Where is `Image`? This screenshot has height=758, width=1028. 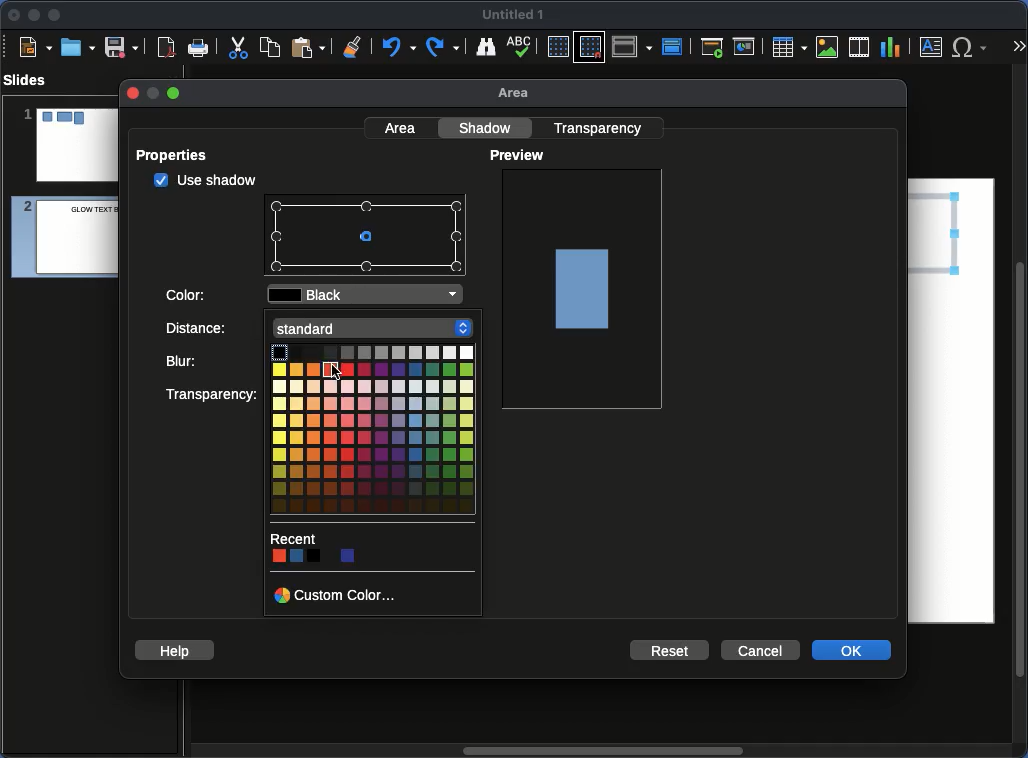
Image is located at coordinates (584, 287).